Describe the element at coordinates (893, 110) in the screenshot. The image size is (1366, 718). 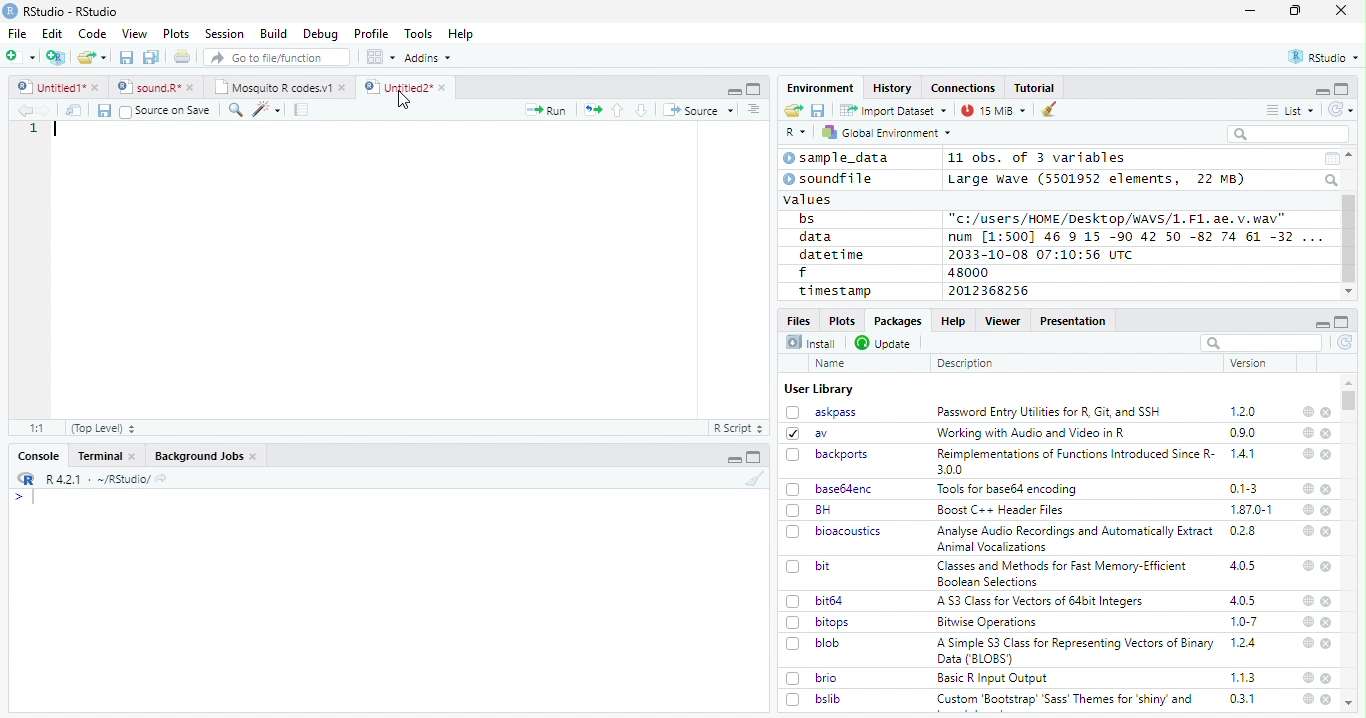
I see `Import Dataset` at that location.